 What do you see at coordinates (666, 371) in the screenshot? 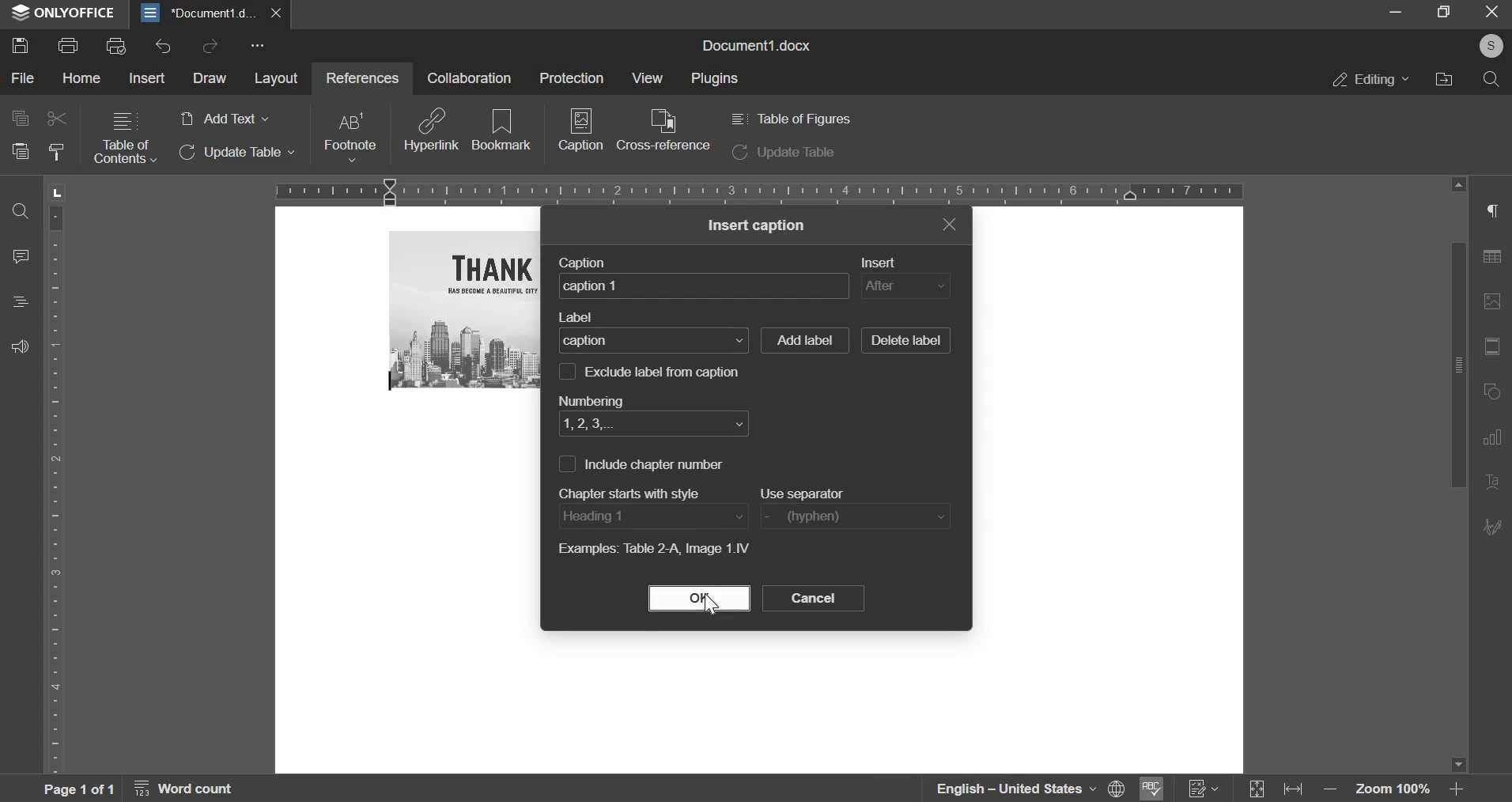
I see `exclude label from caption` at bounding box center [666, 371].